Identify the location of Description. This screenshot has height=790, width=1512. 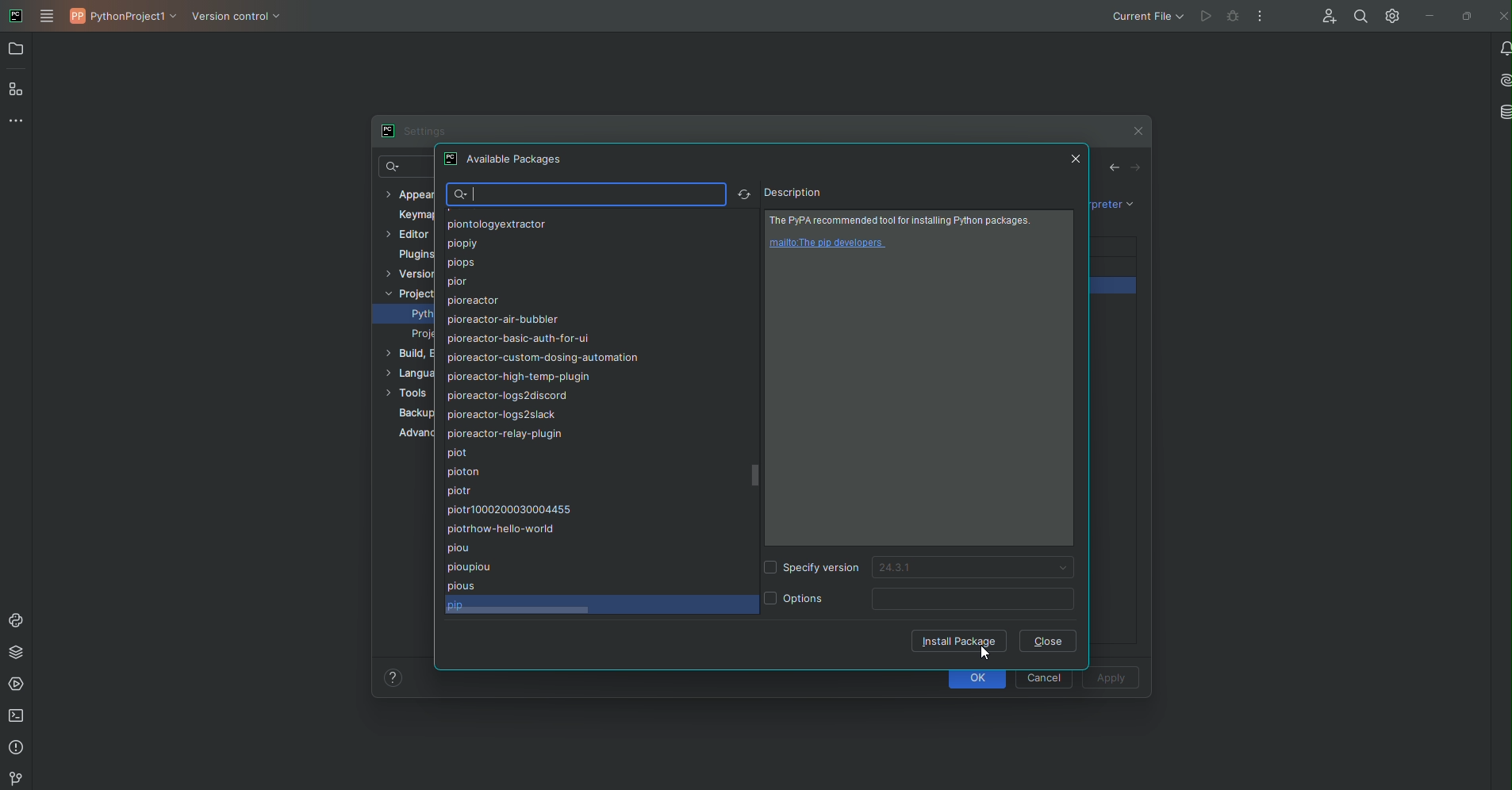
(793, 193).